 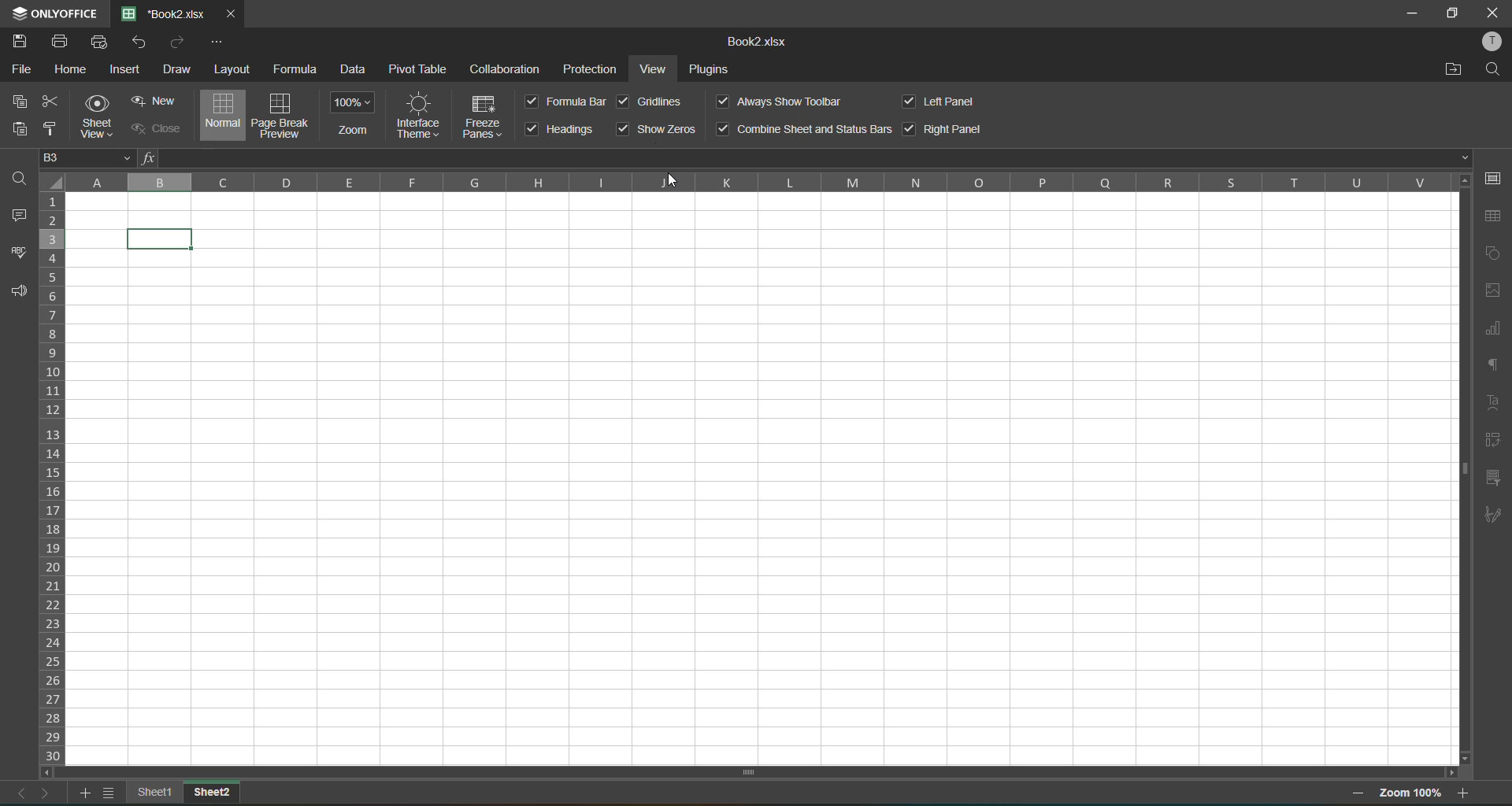 I want to click on shapes, so click(x=1493, y=252).